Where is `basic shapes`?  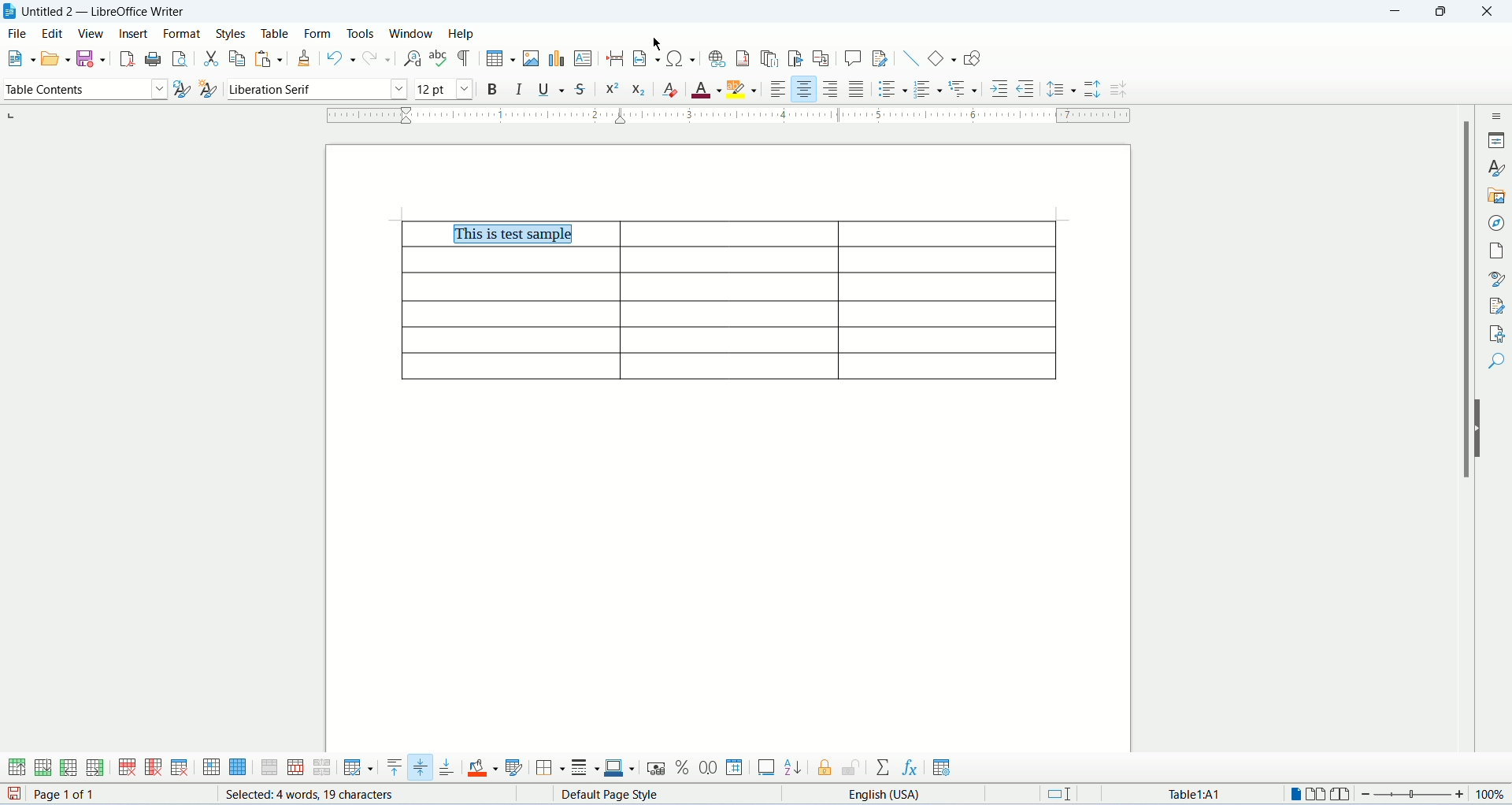
basic shapes is located at coordinates (943, 57).